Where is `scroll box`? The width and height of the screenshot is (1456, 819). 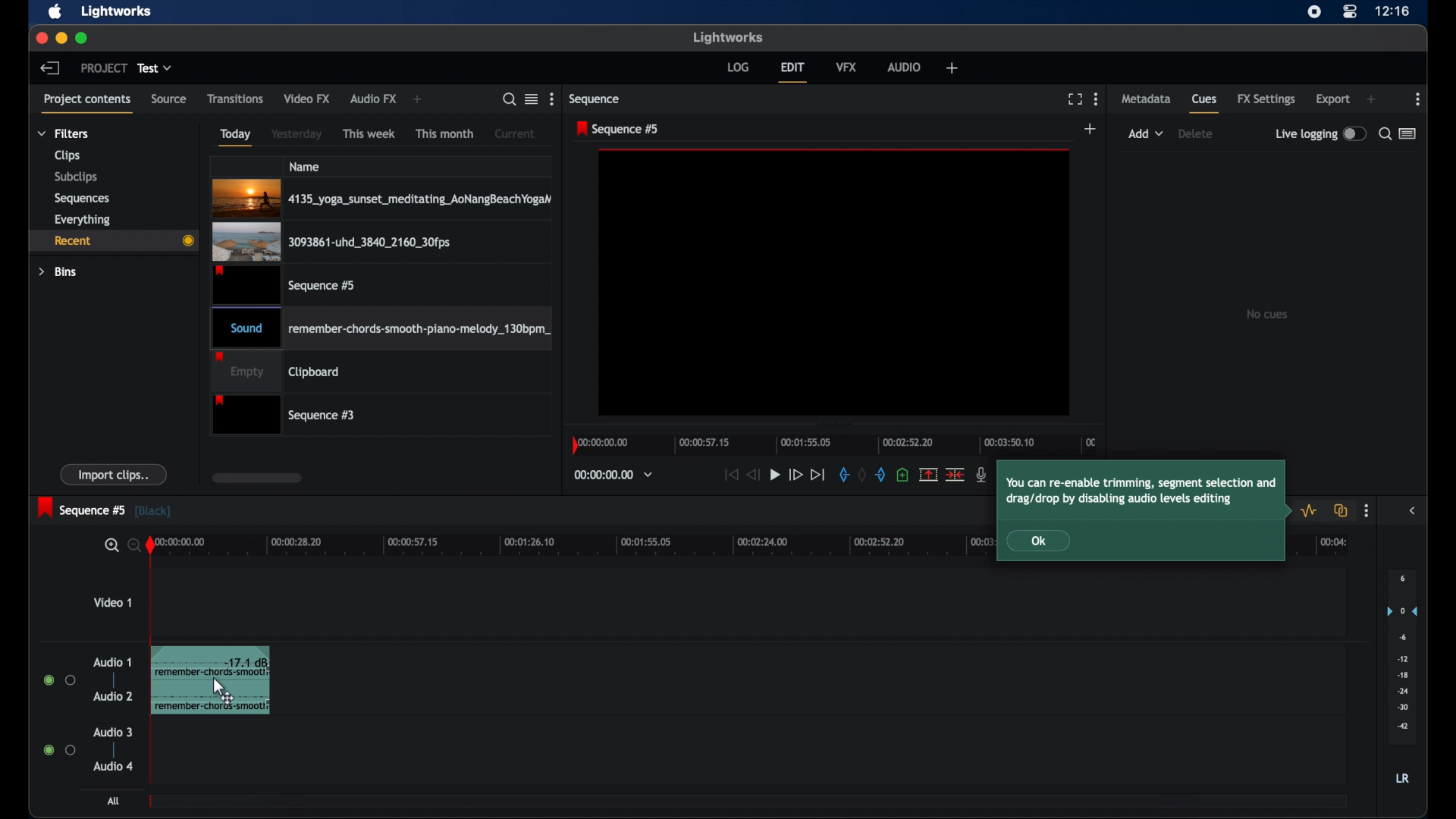 scroll box is located at coordinates (256, 478).